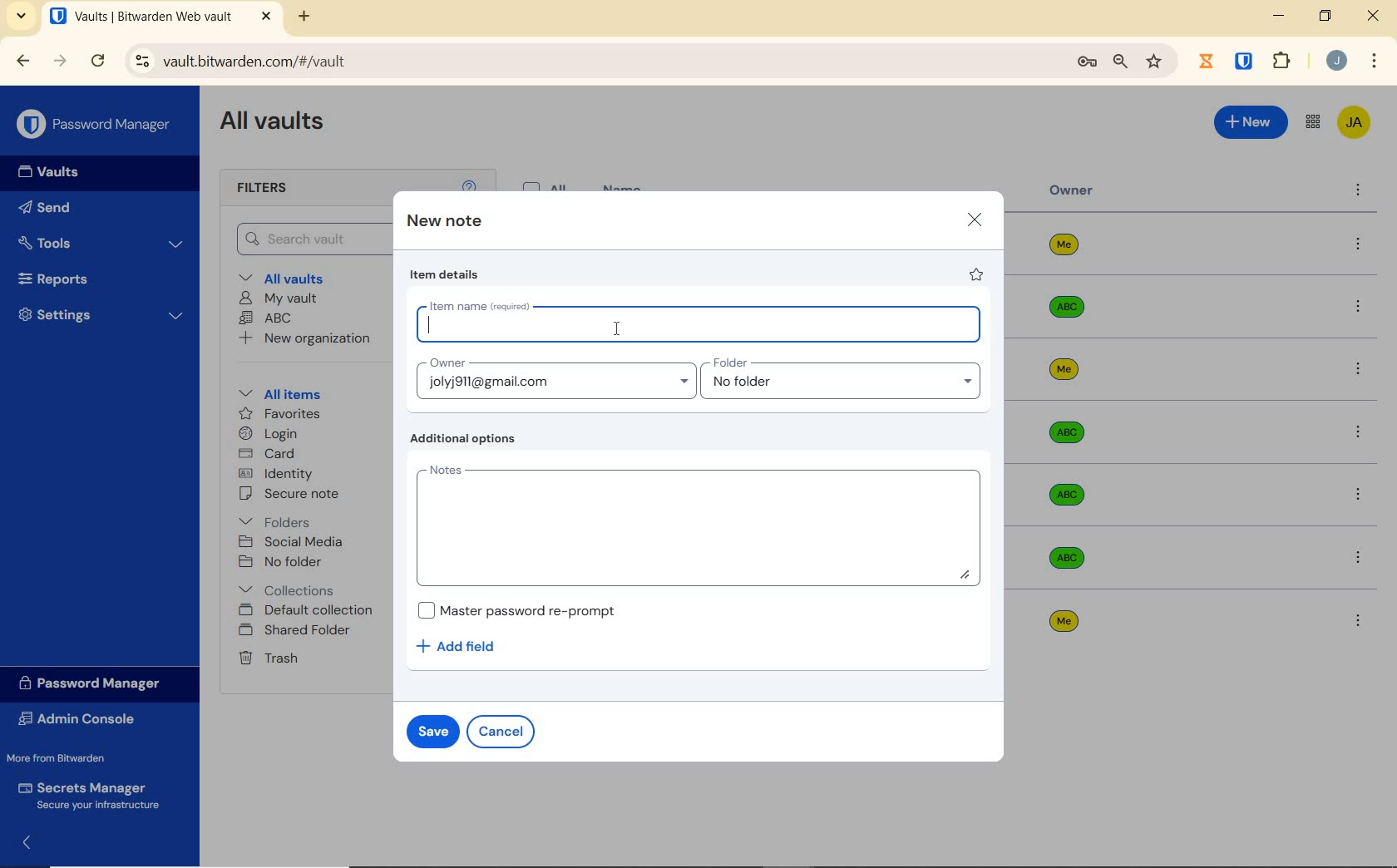  I want to click on item details, so click(445, 277).